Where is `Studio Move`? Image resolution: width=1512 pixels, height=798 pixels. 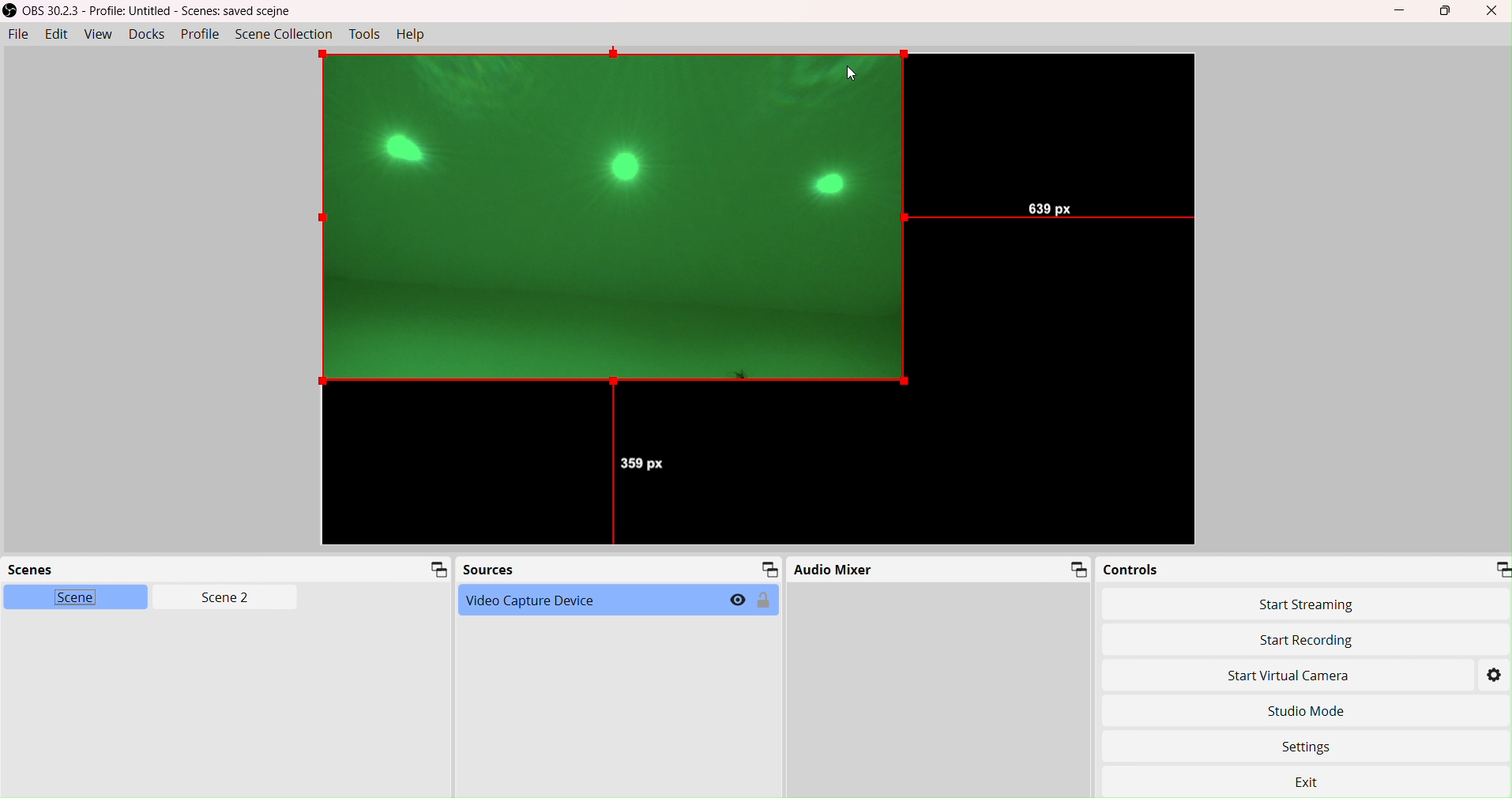
Studio Move is located at coordinates (1307, 708).